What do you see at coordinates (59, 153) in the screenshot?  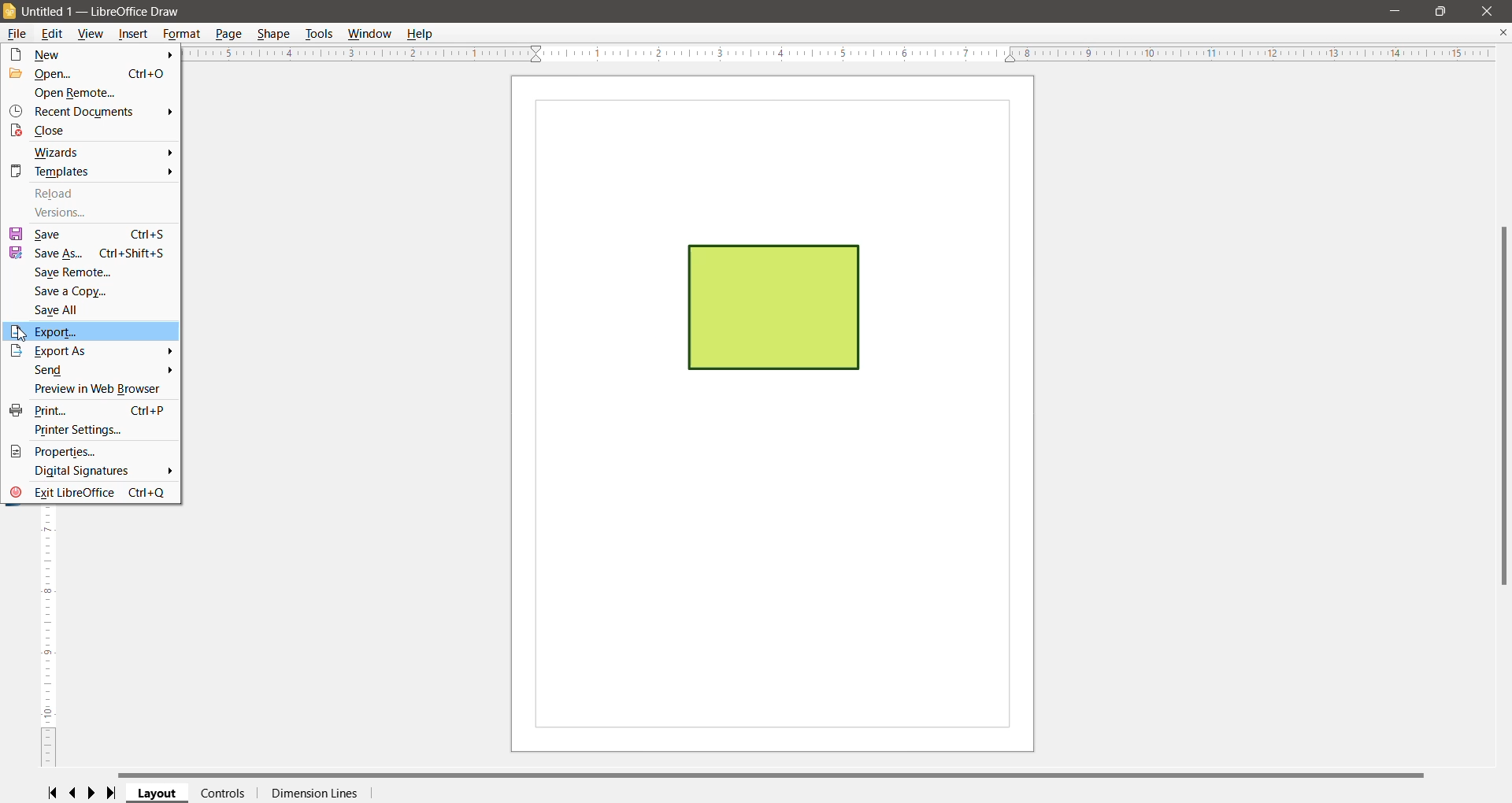 I see `Wizards` at bounding box center [59, 153].